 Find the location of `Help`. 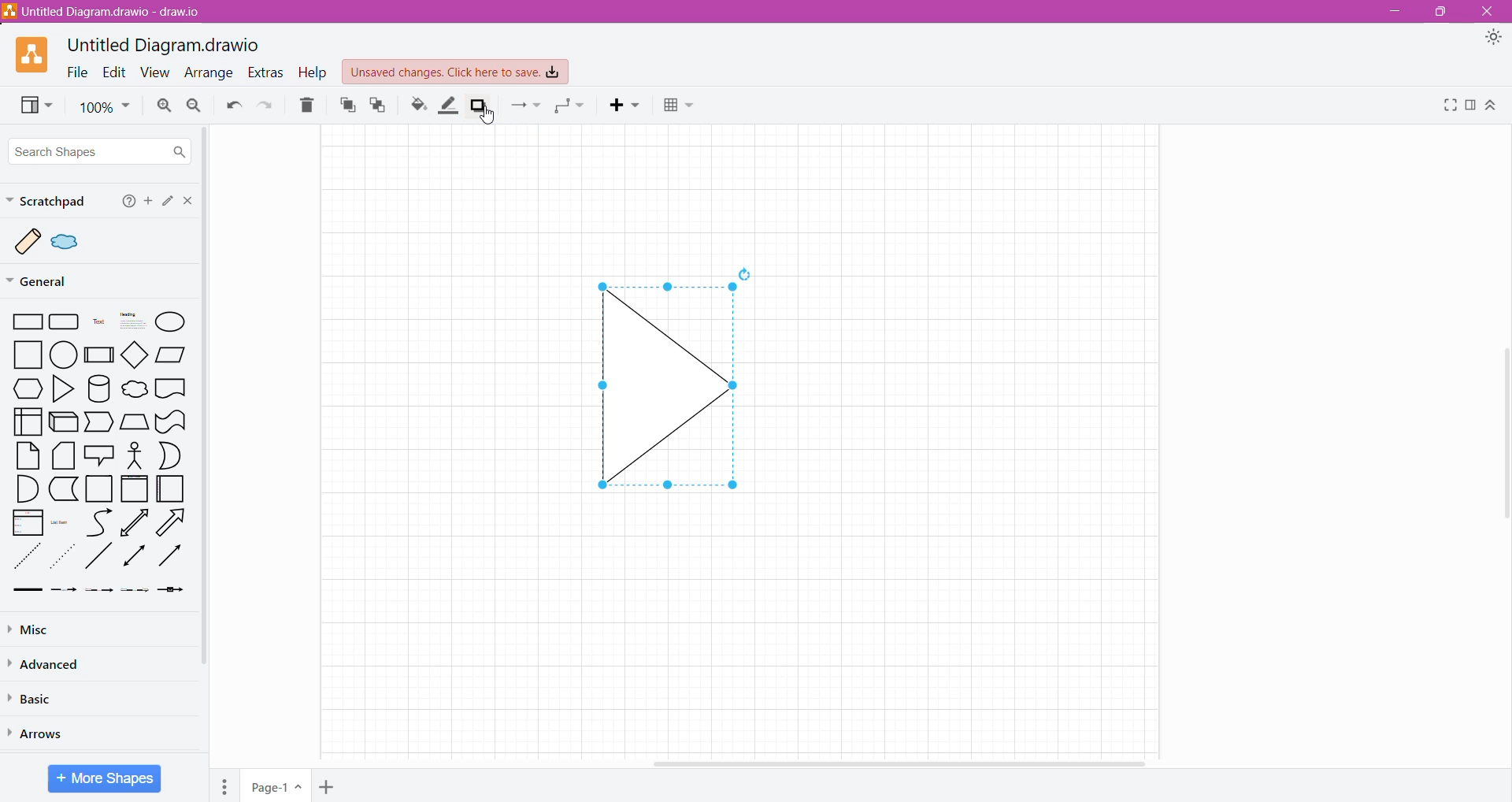

Help is located at coordinates (315, 72).